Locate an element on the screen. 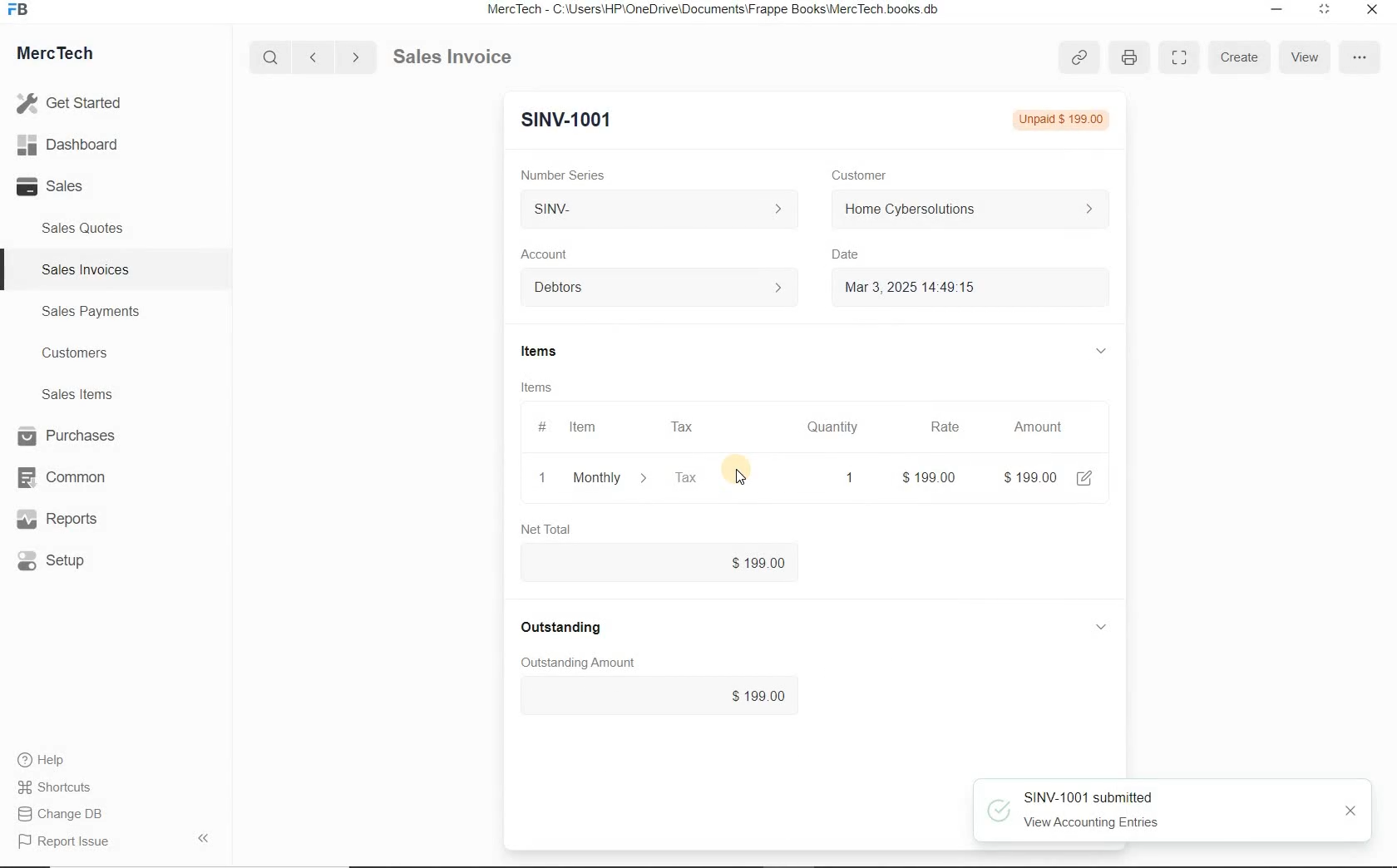 The height and width of the screenshot is (868, 1397). New Entry is located at coordinates (565, 121).